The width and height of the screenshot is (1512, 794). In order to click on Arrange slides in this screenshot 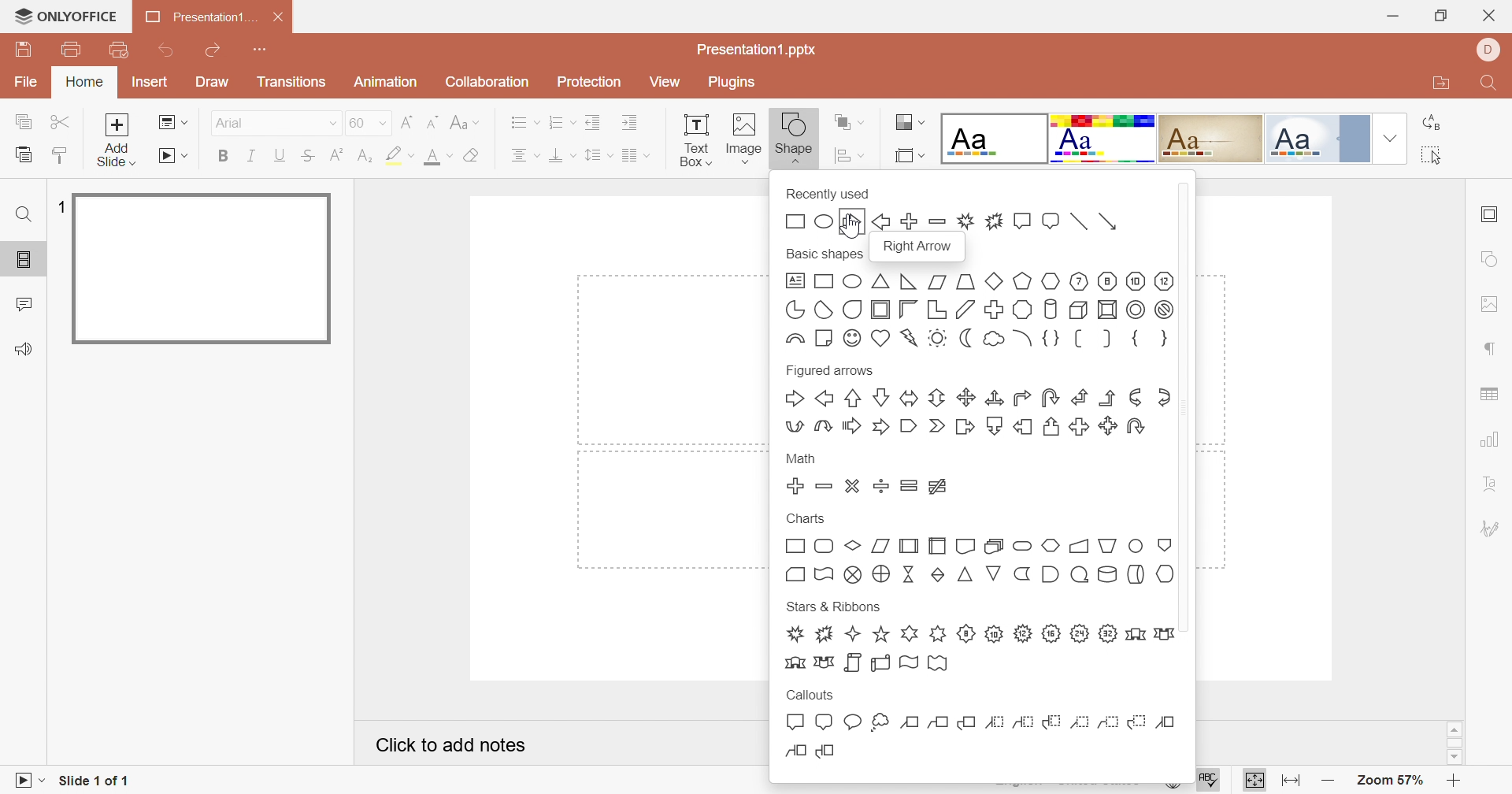, I will do `click(850, 123)`.